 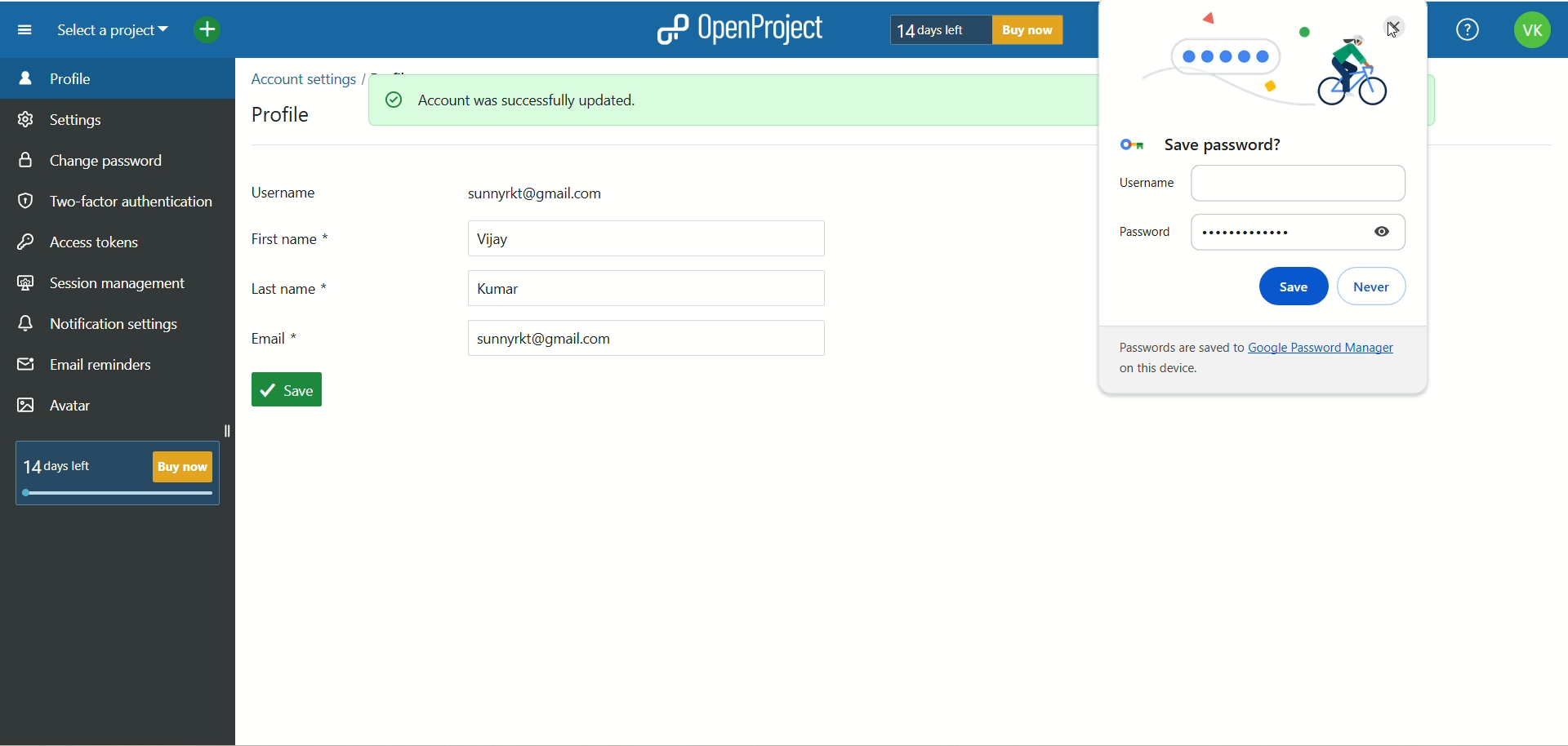 What do you see at coordinates (118, 472) in the screenshot?
I see `text` at bounding box center [118, 472].